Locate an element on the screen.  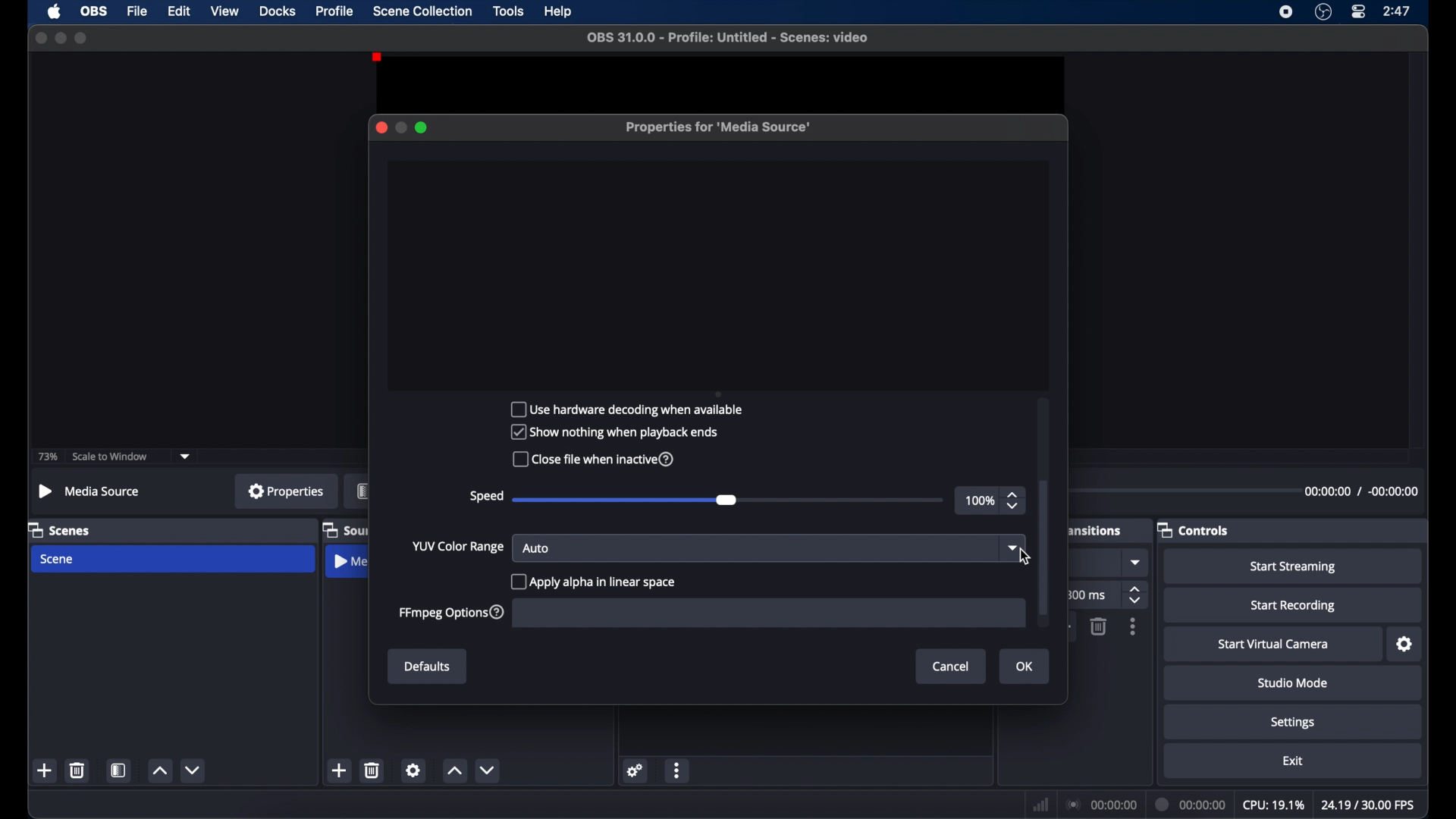
Cancel is located at coordinates (949, 666).